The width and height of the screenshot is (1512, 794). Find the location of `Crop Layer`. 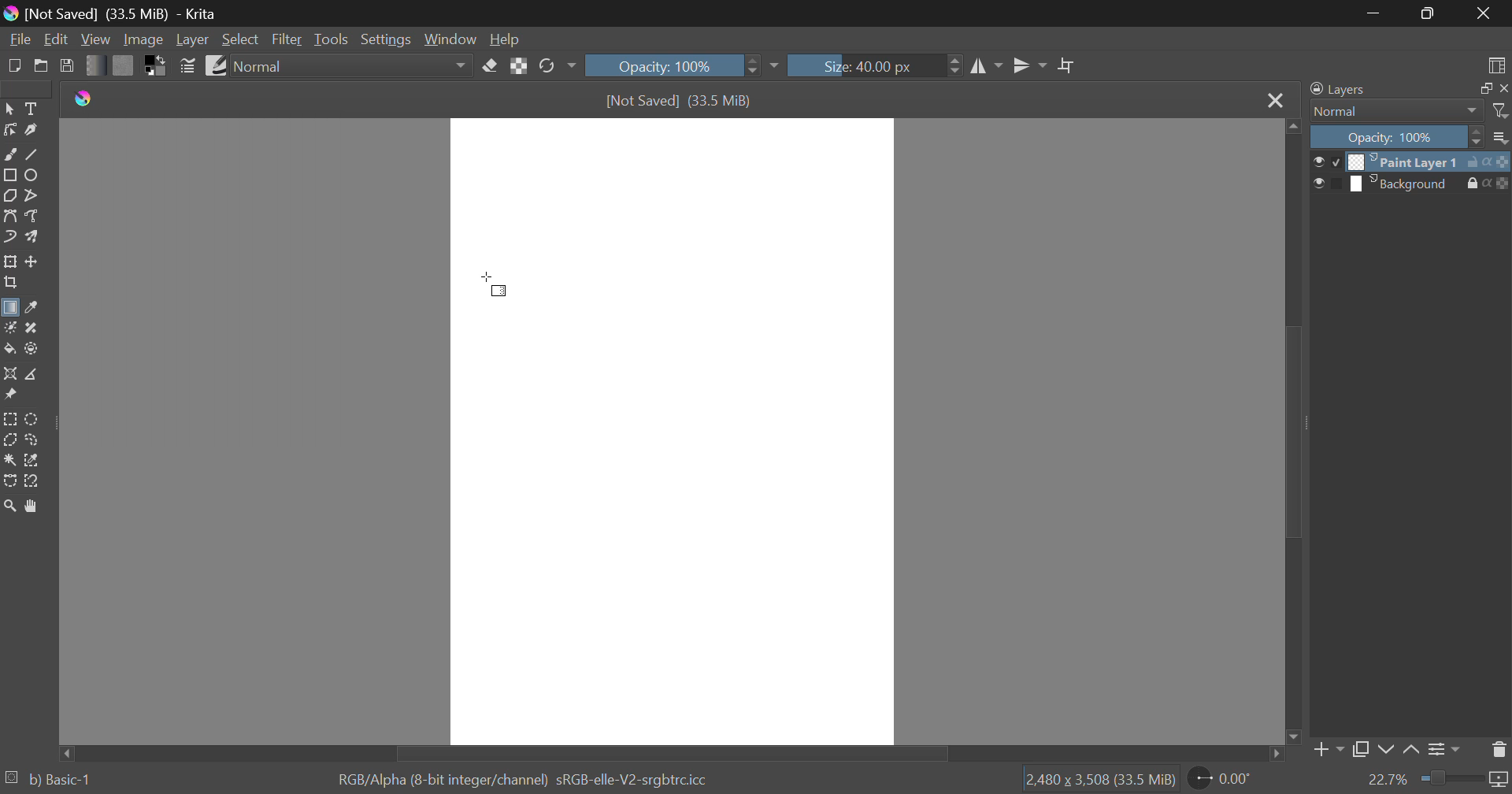

Crop Layer is located at coordinates (9, 284).